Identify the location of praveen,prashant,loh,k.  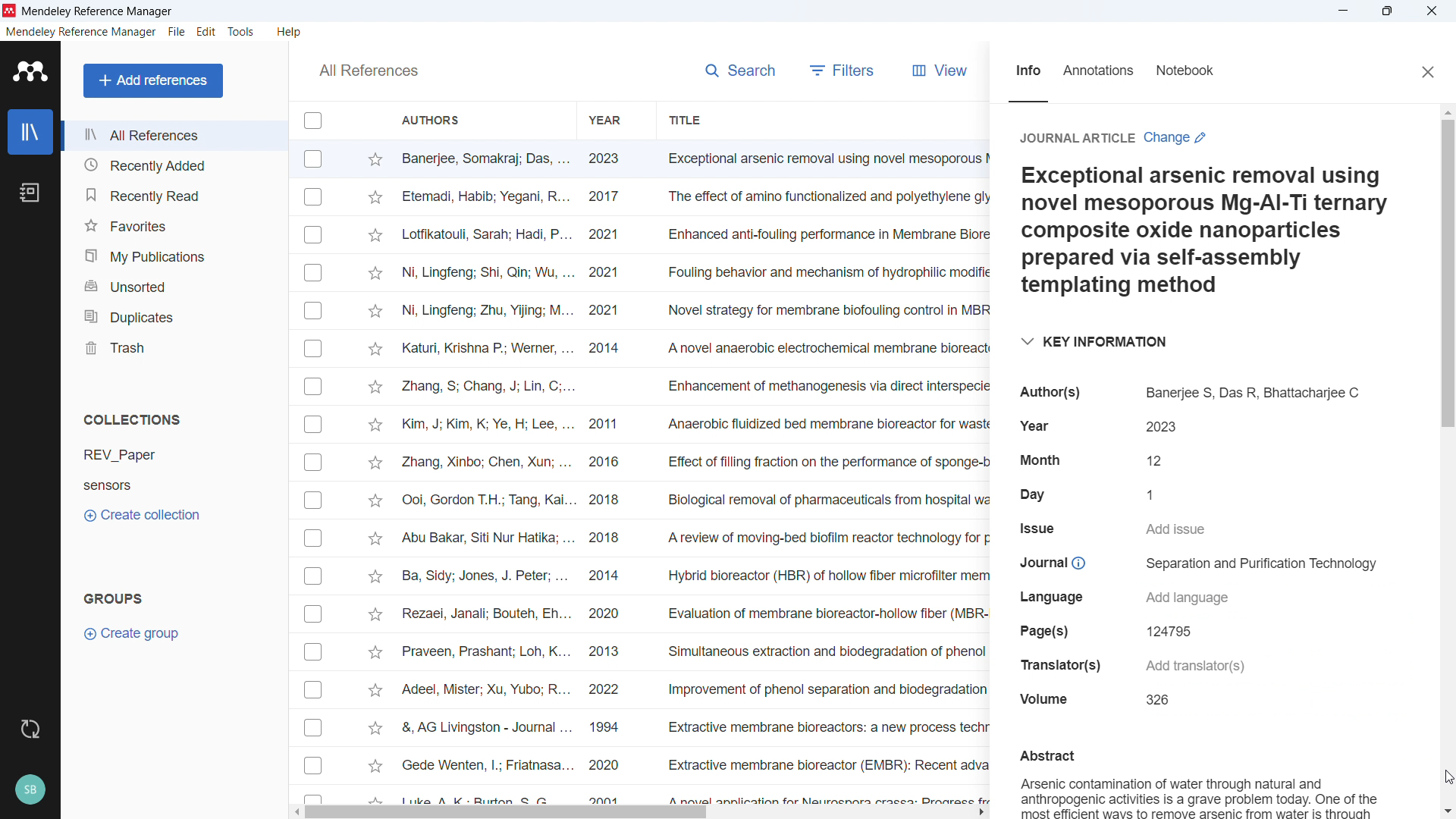
(486, 653).